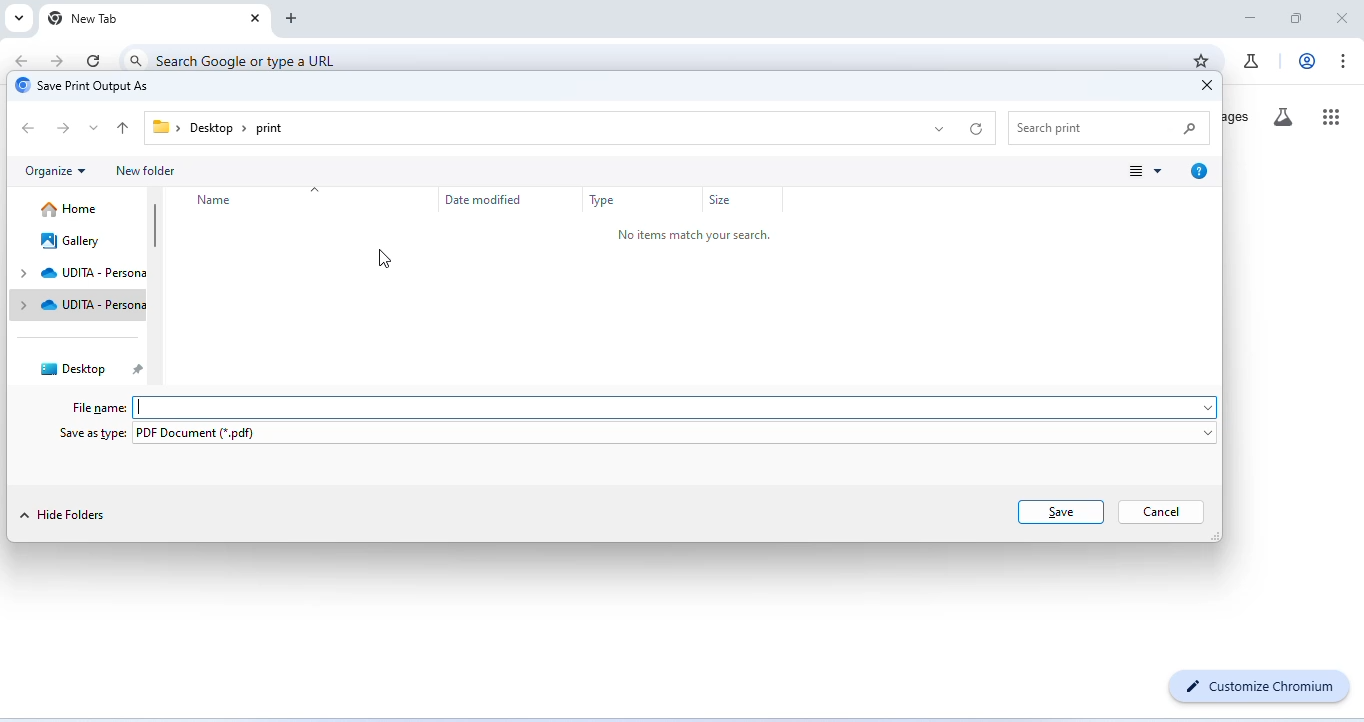  Describe the element at coordinates (1215, 536) in the screenshot. I see `Change dimension of window` at that location.